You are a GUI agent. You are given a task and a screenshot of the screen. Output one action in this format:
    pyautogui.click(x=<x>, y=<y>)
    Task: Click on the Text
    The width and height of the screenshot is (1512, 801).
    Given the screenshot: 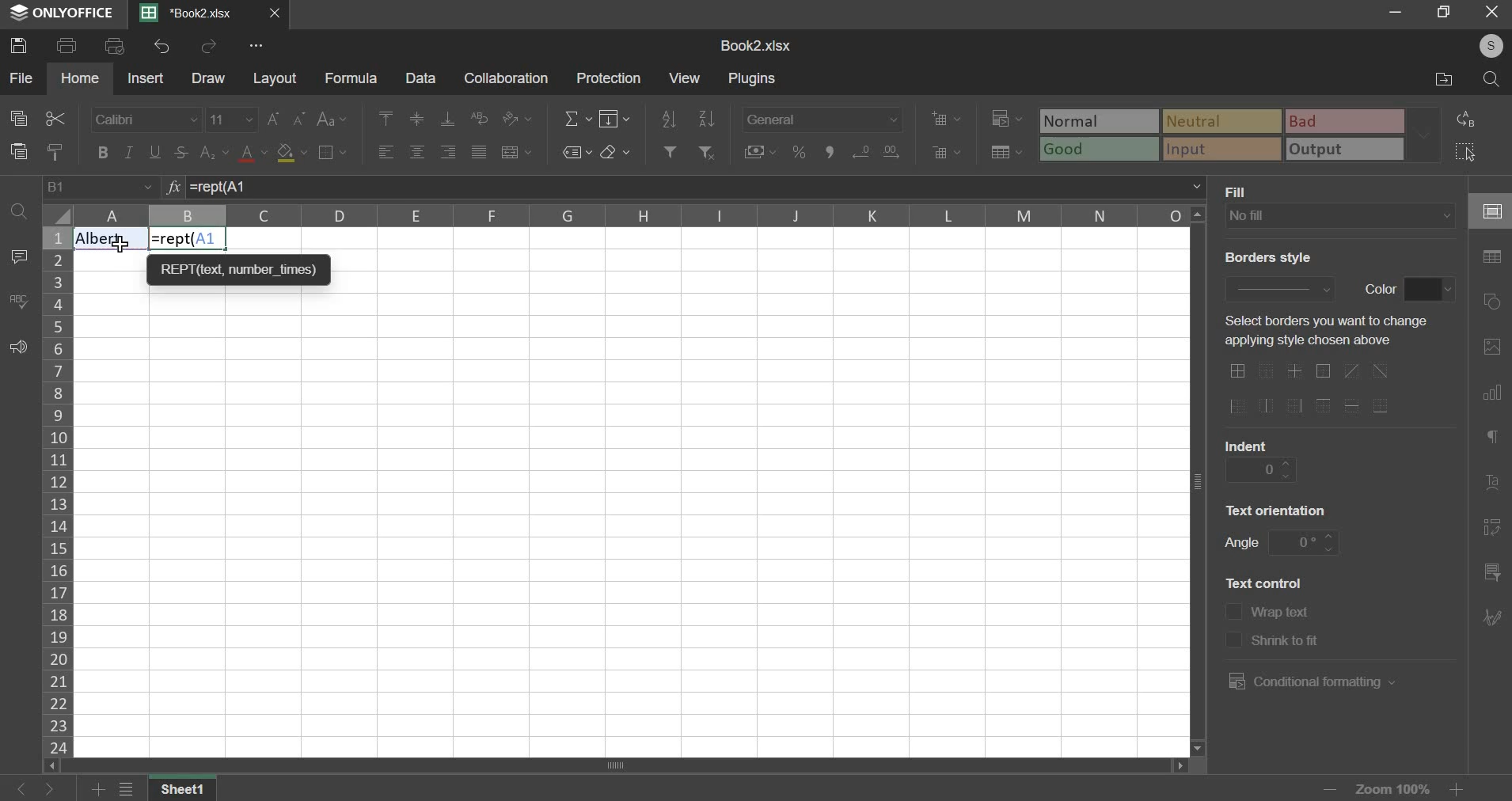 What is the action you would take?
    pyautogui.click(x=108, y=237)
    